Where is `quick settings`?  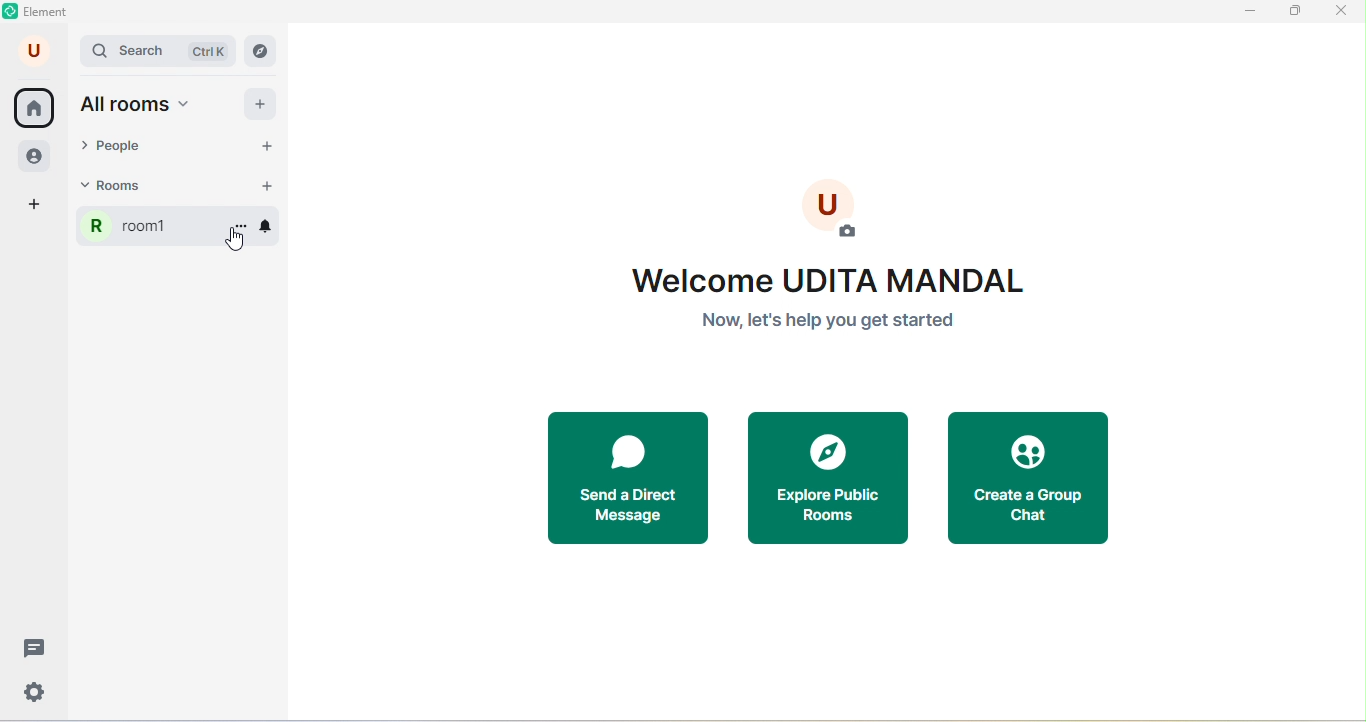
quick settings is located at coordinates (41, 693).